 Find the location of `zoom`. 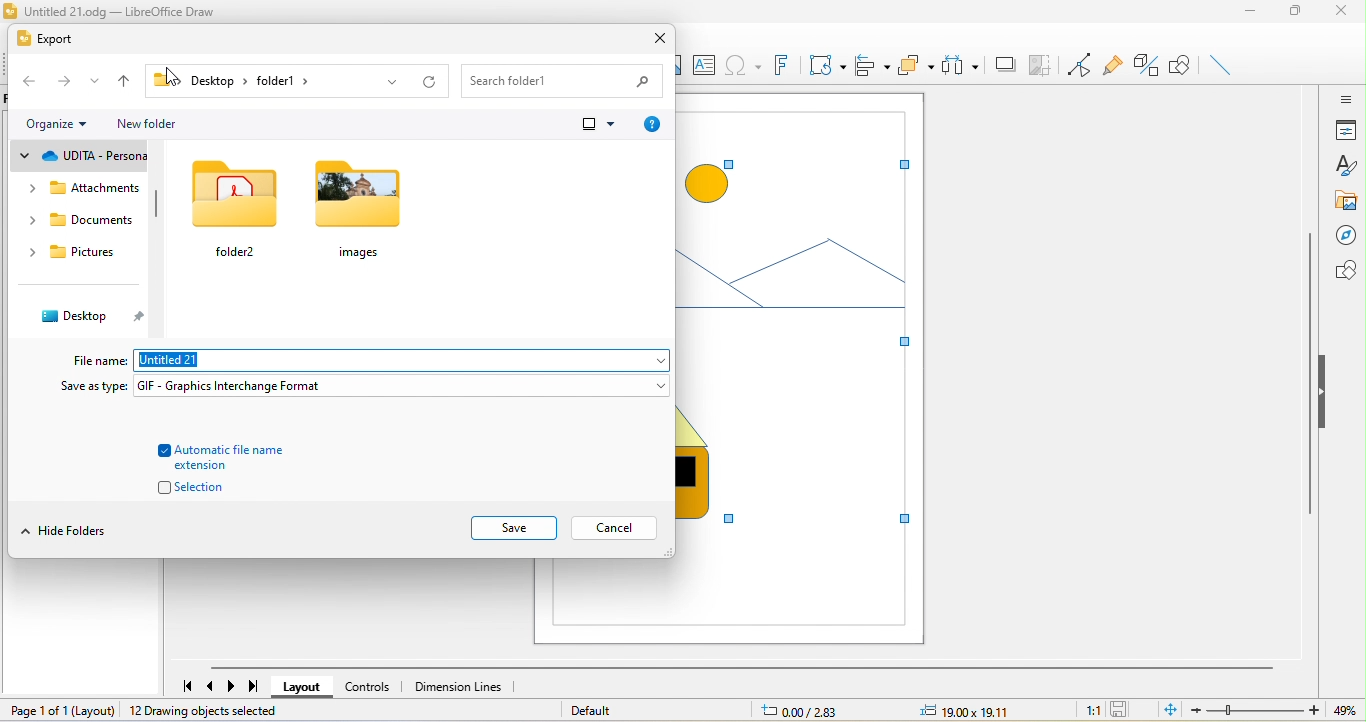

zoom is located at coordinates (1279, 710).